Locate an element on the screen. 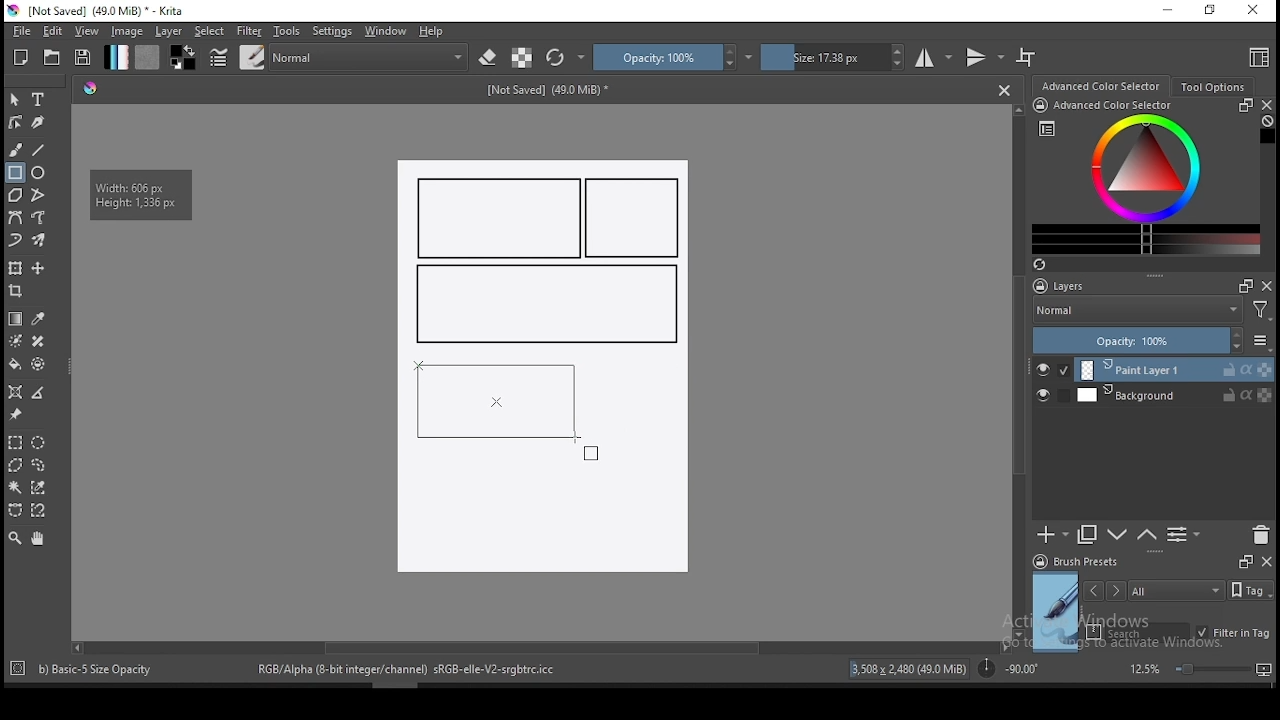 This screenshot has width=1280, height=720. edit is located at coordinates (52, 30).